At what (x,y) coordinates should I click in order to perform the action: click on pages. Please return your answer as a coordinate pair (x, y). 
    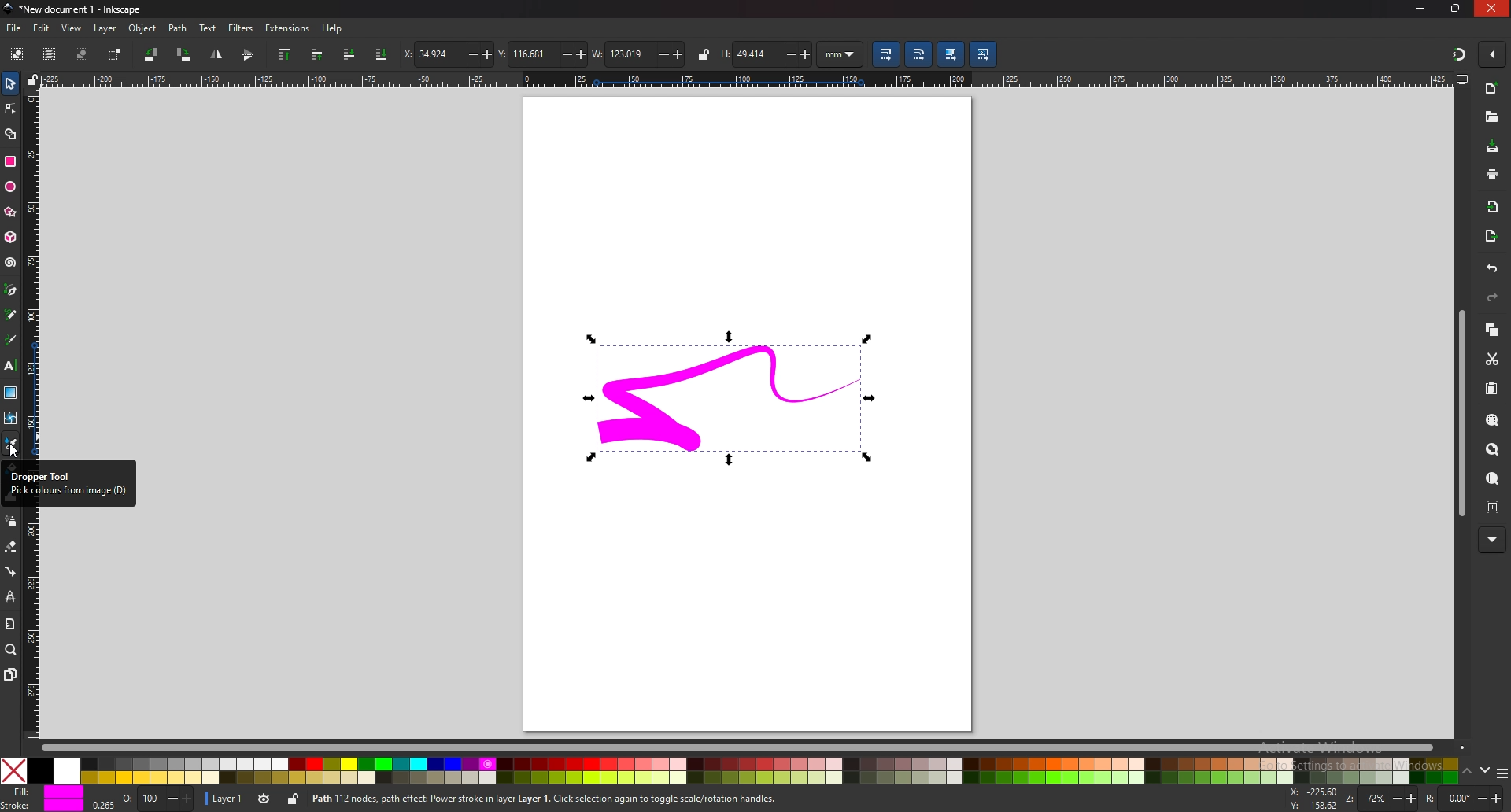
    Looking at the image, I should click on (10, 674).